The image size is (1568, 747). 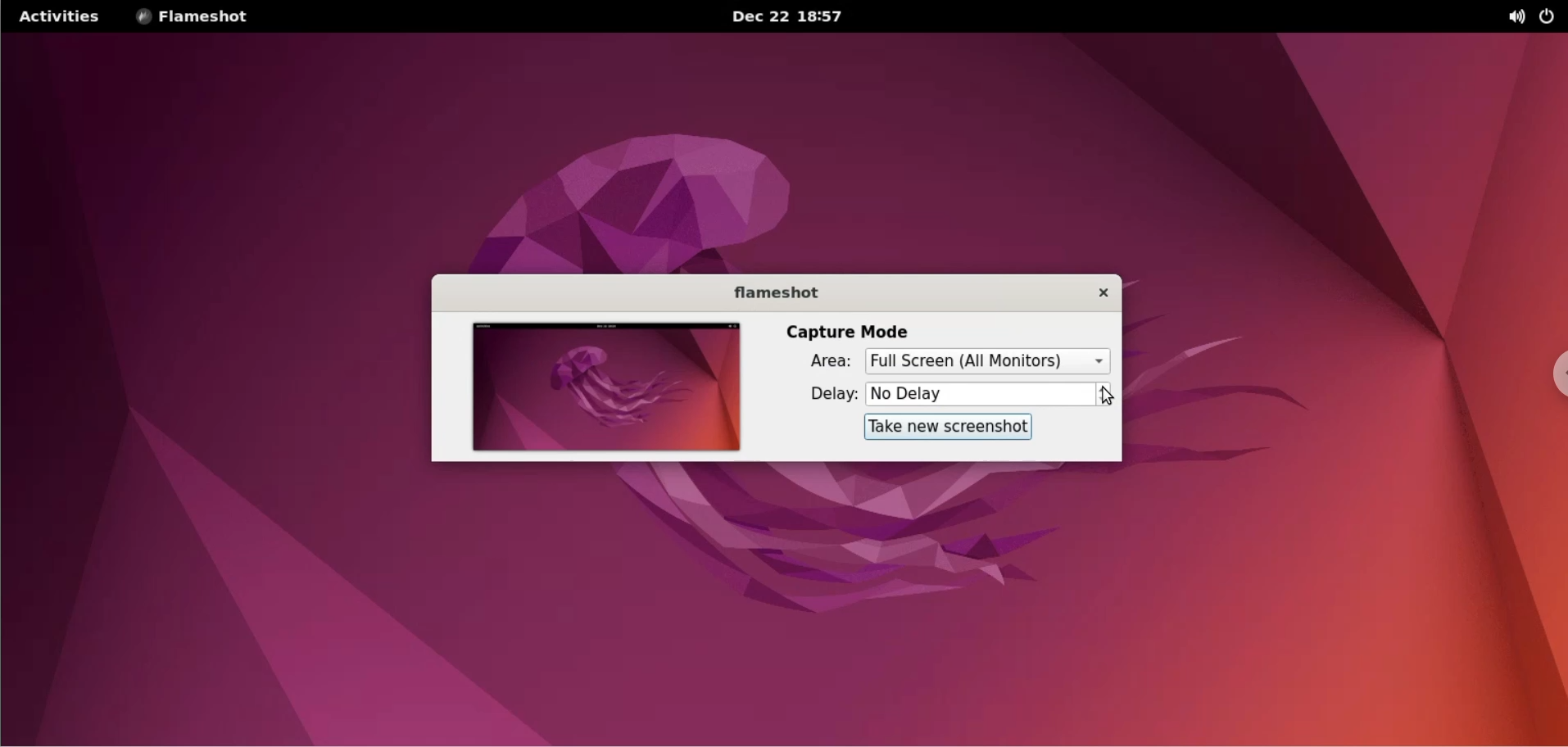 What do you see at coordinates (814, 364) in the screenshot?
I see `area label:` at bounding box center [814, 364].